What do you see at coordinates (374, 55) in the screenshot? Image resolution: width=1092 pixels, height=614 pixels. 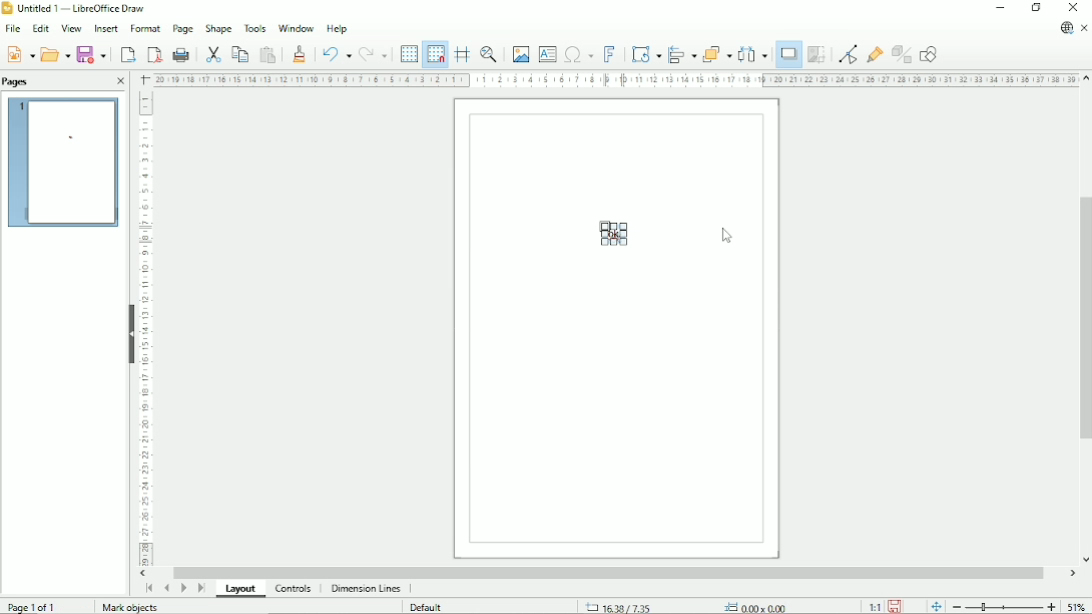 I see `Redo` at bounding box center [374, 55].